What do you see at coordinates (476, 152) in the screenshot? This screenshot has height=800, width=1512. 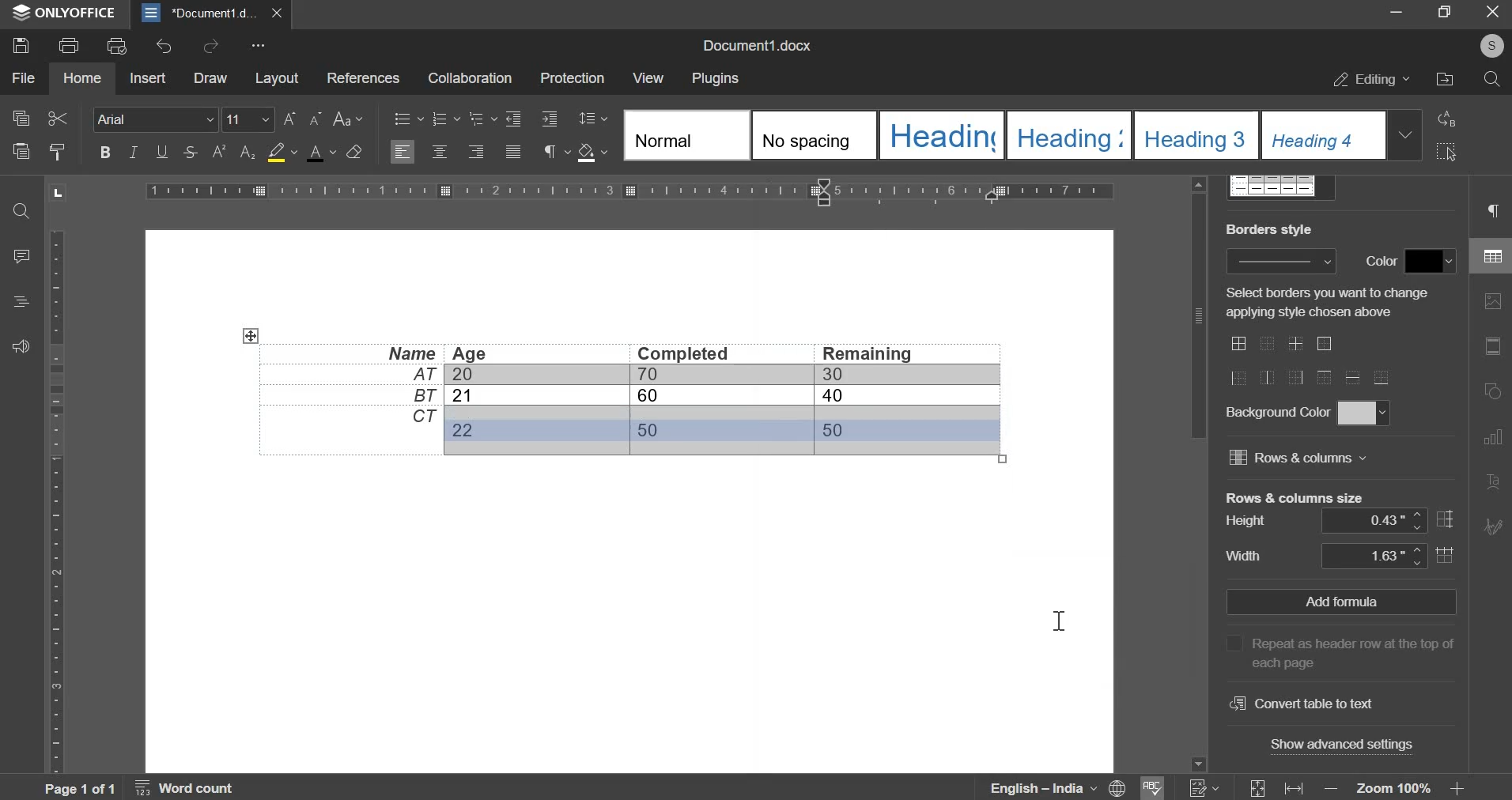 I see `align right` at bounding box center [476, 152].